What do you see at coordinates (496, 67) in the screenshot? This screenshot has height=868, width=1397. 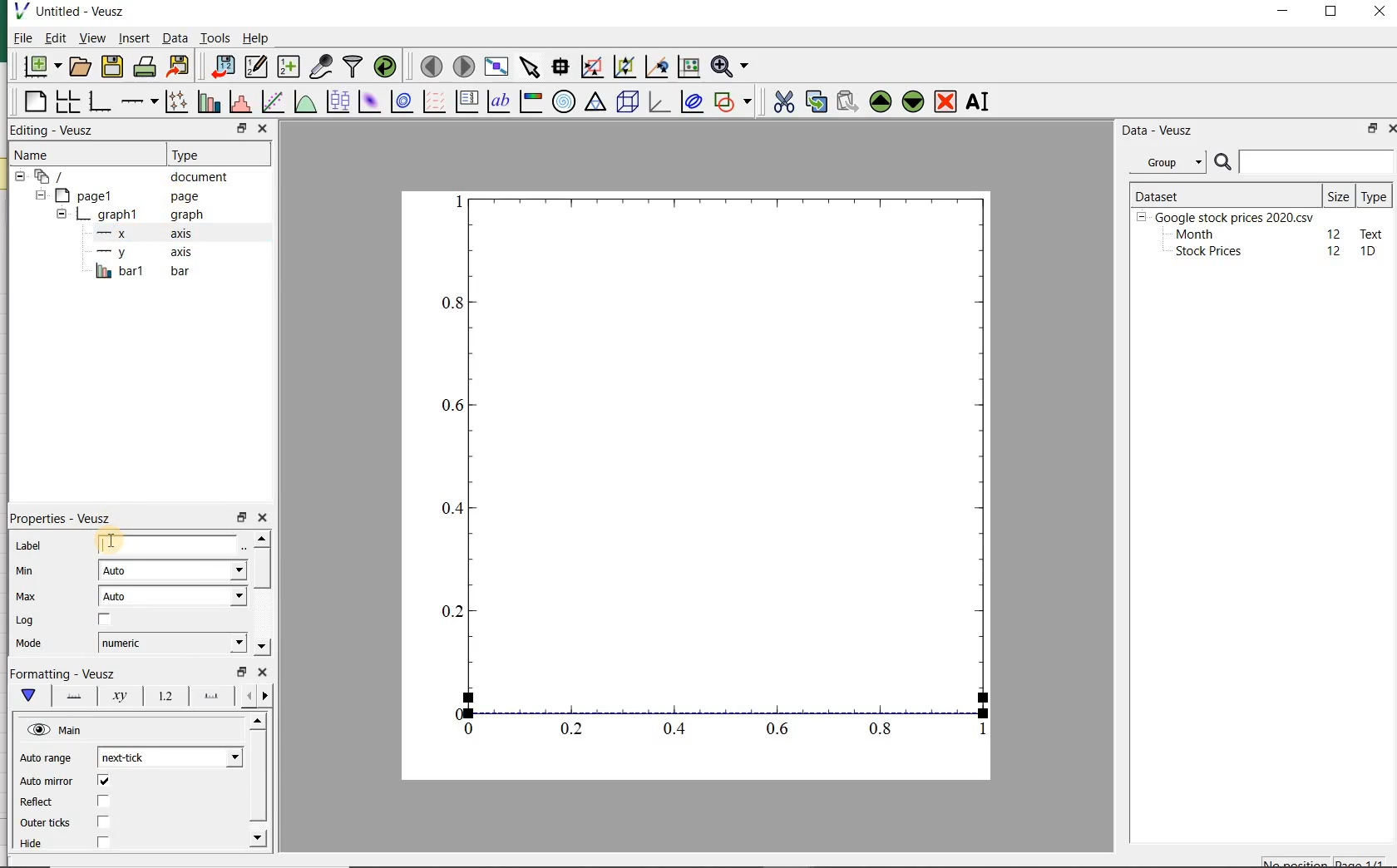 I see `view plot full screen` at bounding box center [496, 67].